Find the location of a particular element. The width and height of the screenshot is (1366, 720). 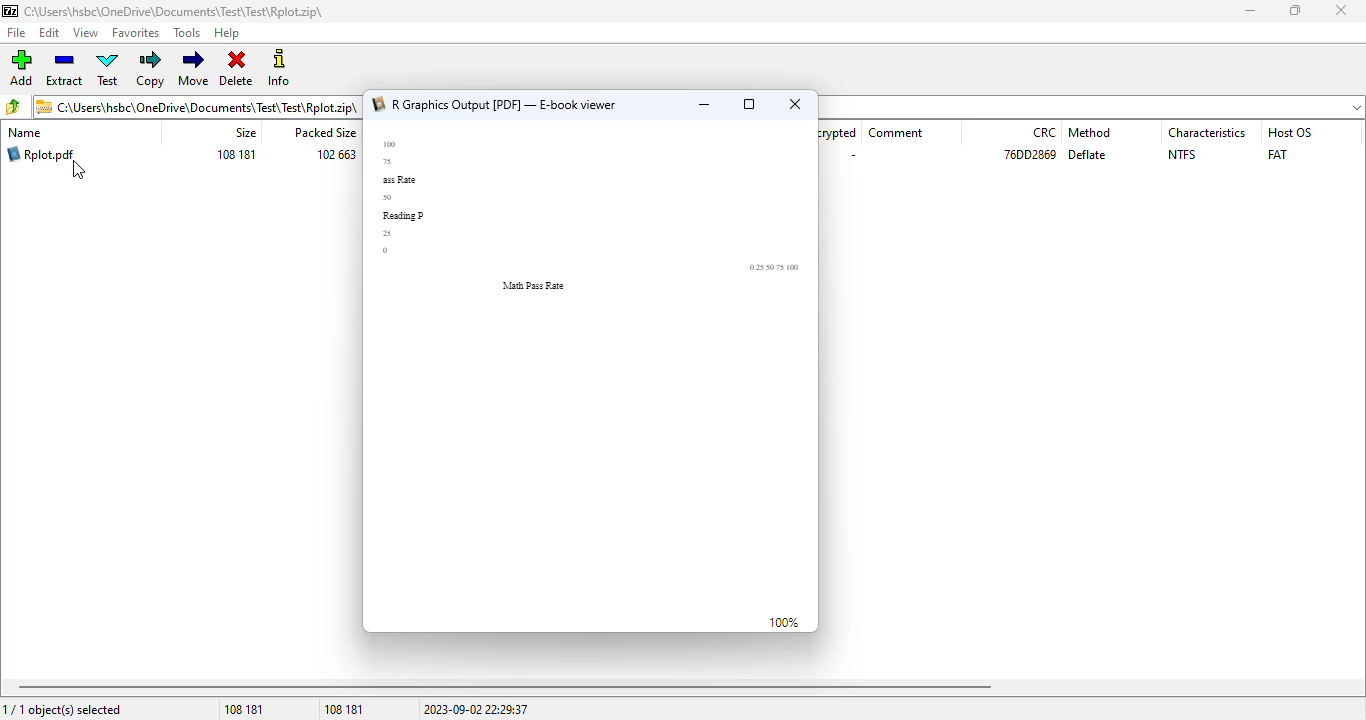

Rplot.pdf is located at coordinates (42, 154).